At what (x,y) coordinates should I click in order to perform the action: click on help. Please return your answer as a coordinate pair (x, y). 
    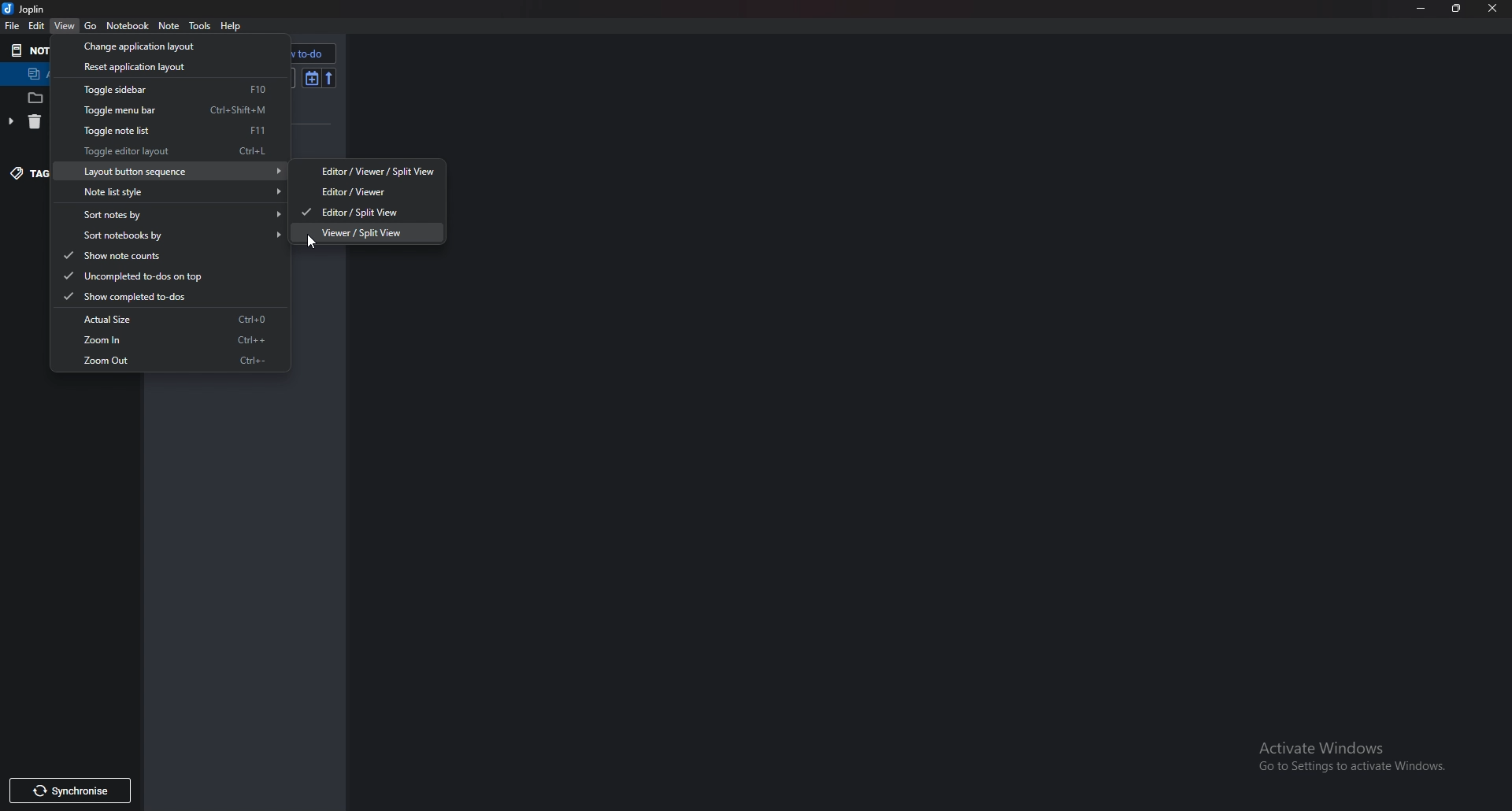
    Looking at the image, I should click on (233, 26).